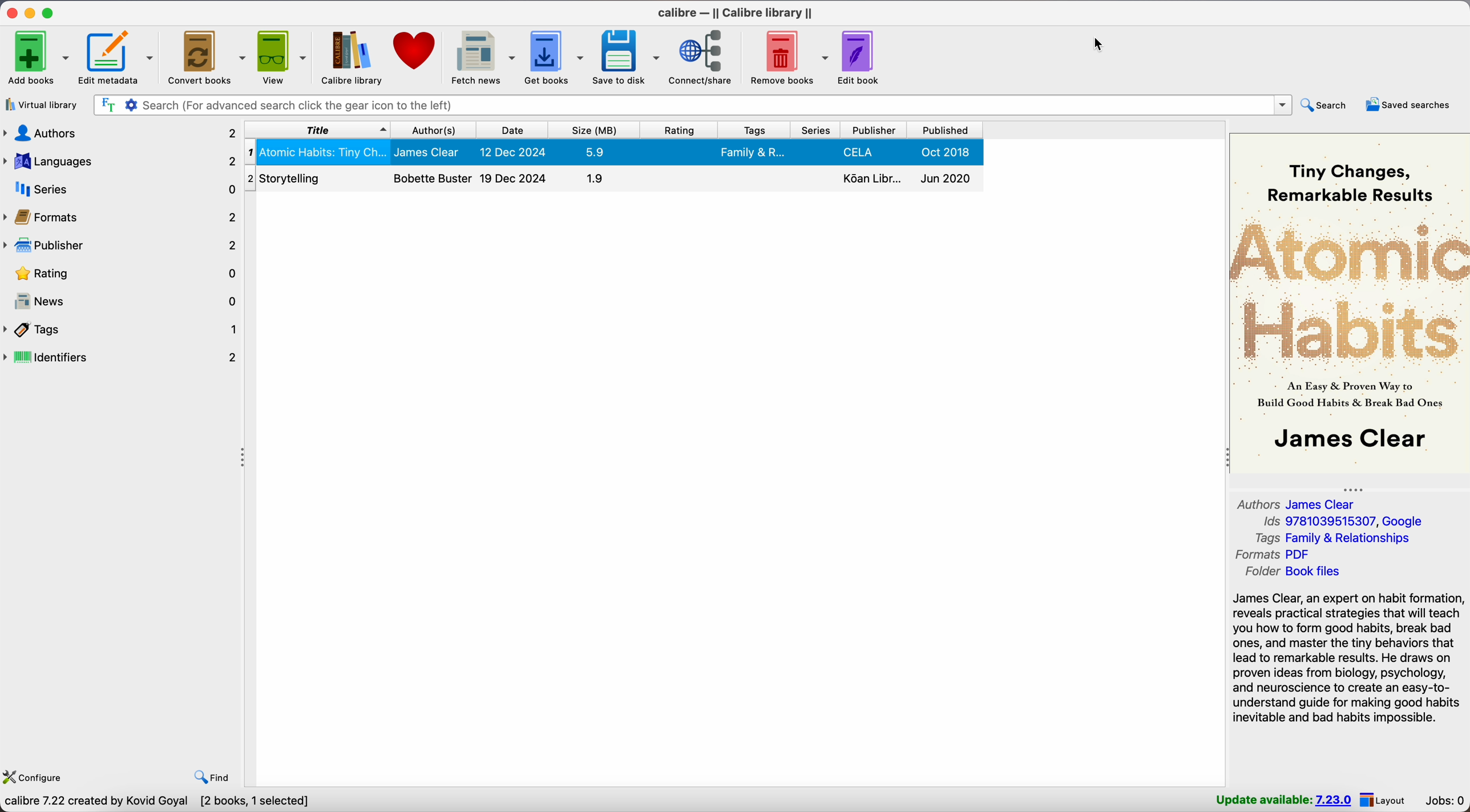  I want to click on find, so click(208, 775).